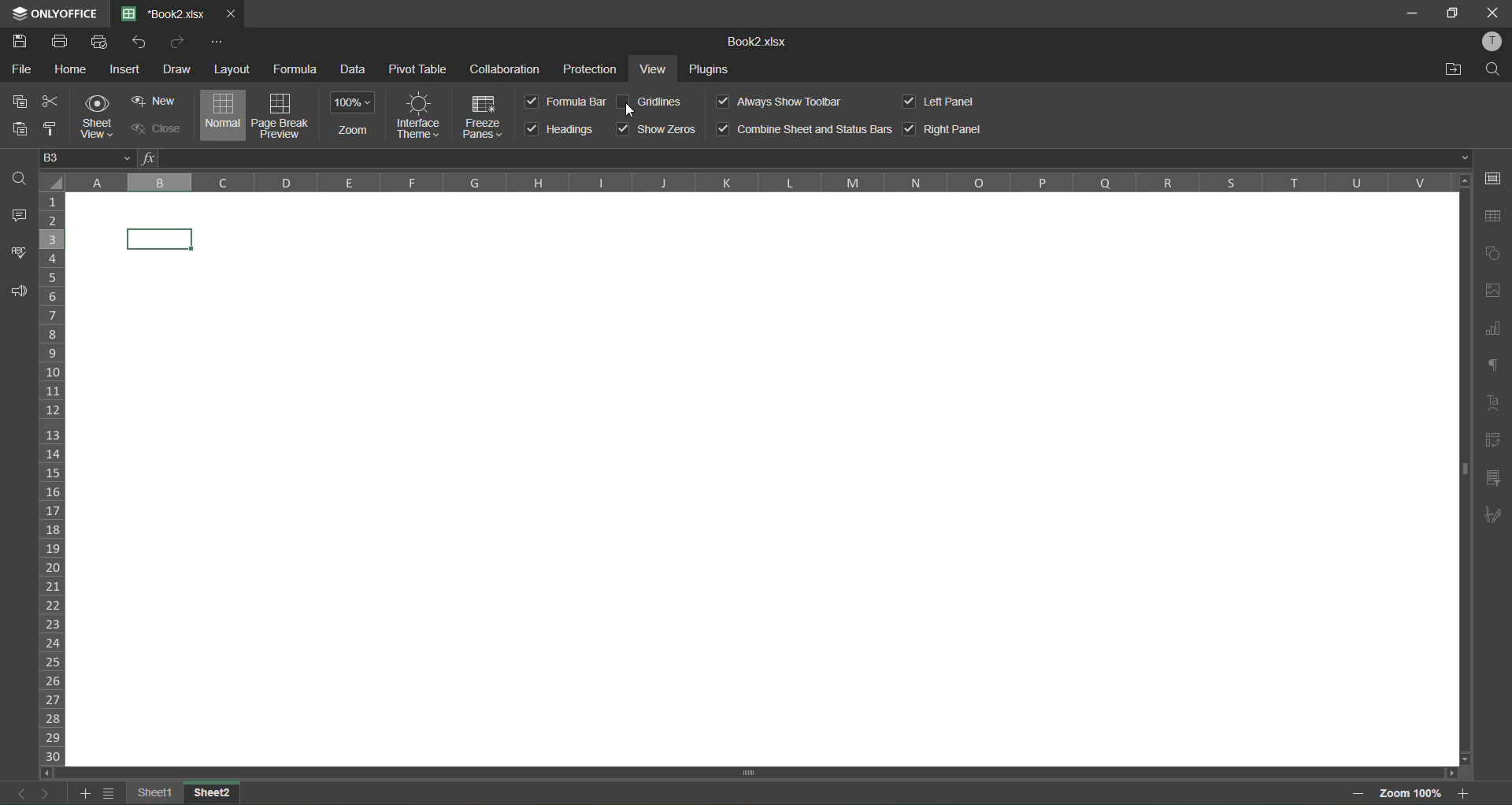  I want to click on next, so click(43, 792).